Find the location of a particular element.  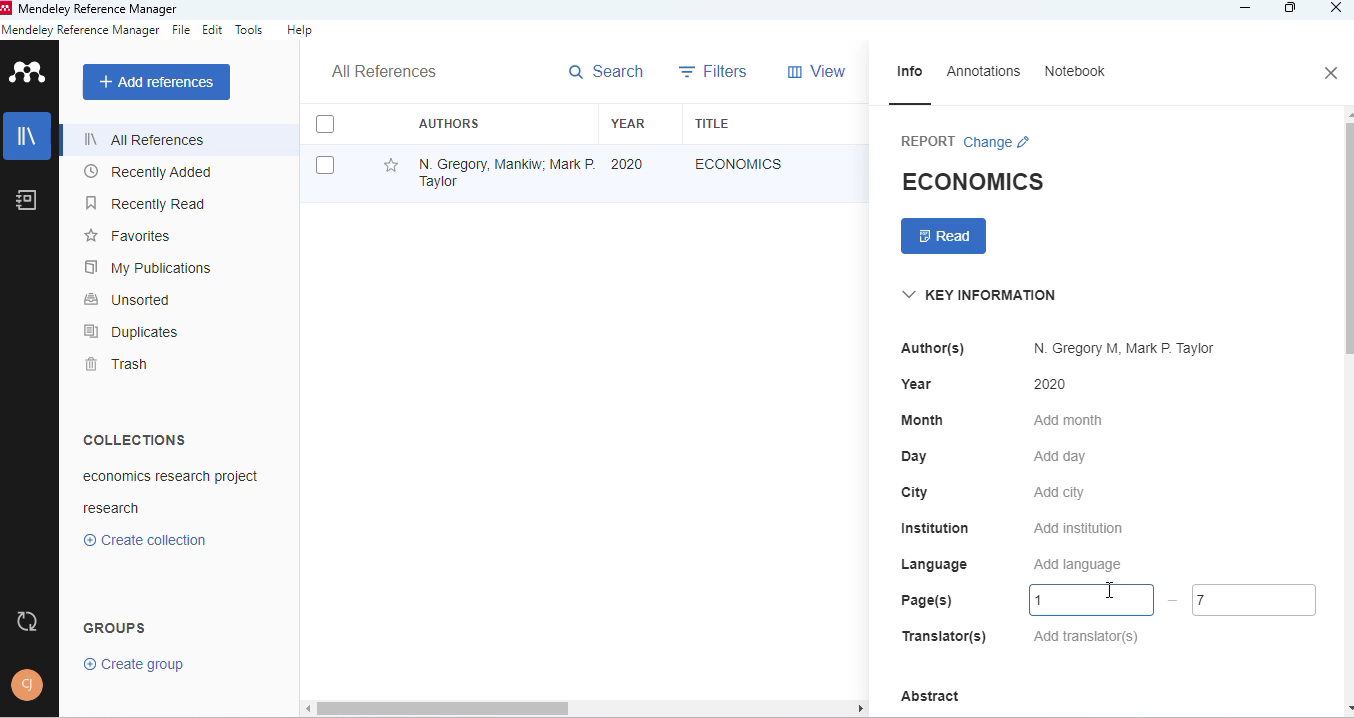

N. Gregory Mankiw, Mark P. Taylor is located at coordinates (505, 172).